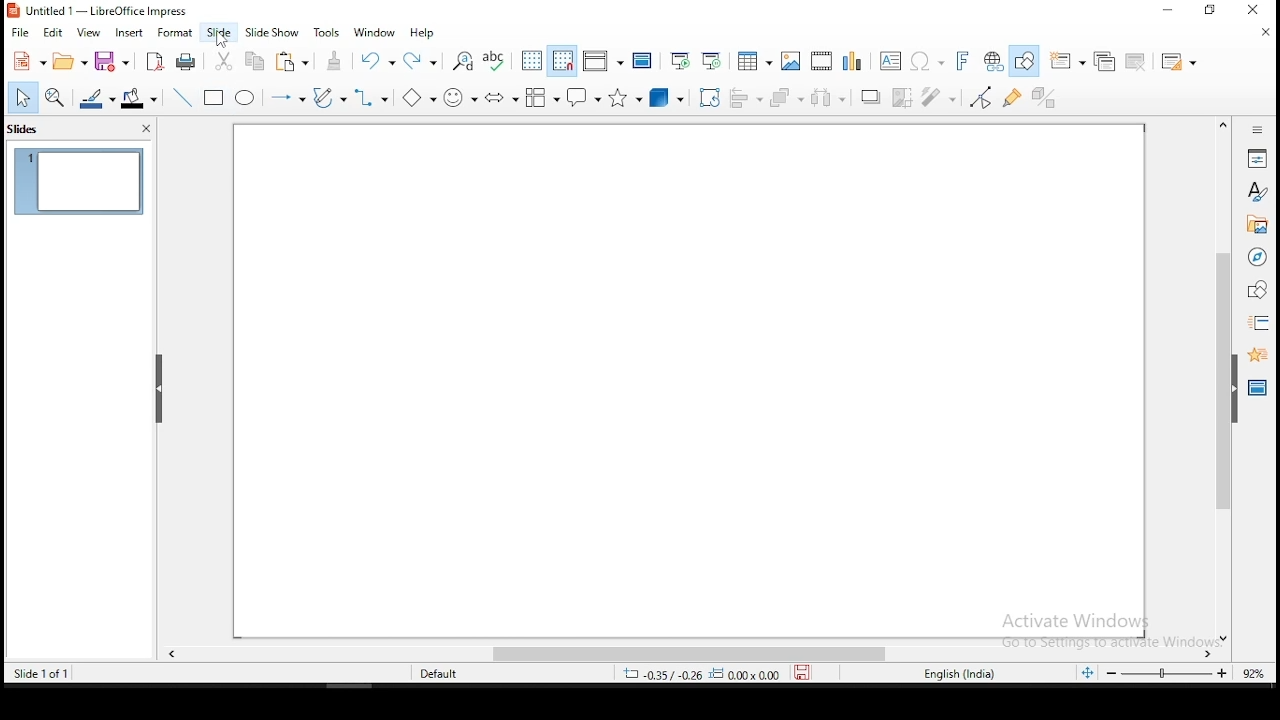  What do you see at coordinates (902, 97) in the screenshot?
I see `crop image` at bounding box center [902, 97].